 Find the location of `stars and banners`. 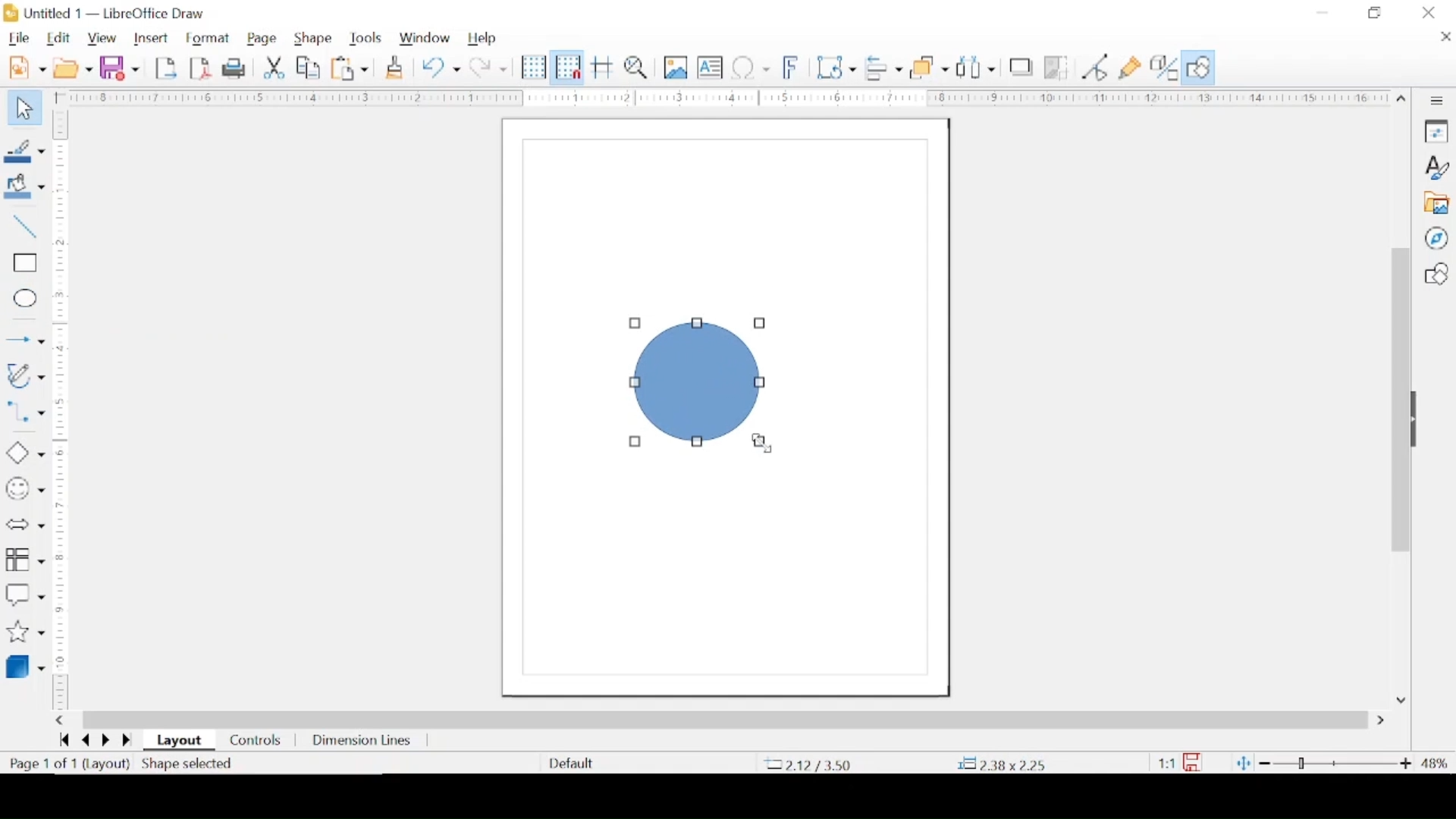

stars and banners is located at coordinates (24, 633).